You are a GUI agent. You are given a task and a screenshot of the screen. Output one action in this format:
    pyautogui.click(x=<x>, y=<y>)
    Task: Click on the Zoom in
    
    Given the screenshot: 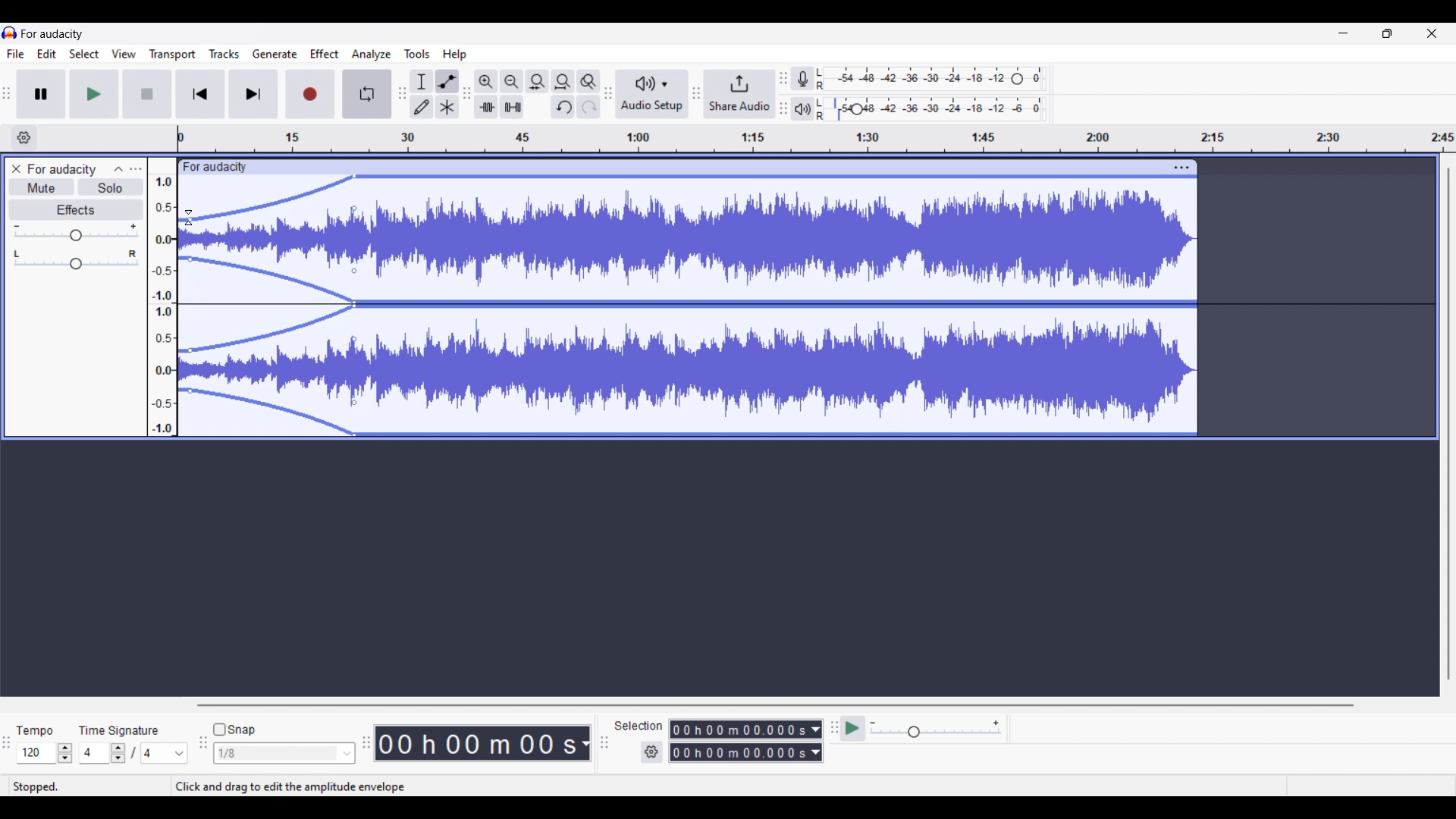 What is the action you would take?
    pyautogui.click(x=486, y=81)
    